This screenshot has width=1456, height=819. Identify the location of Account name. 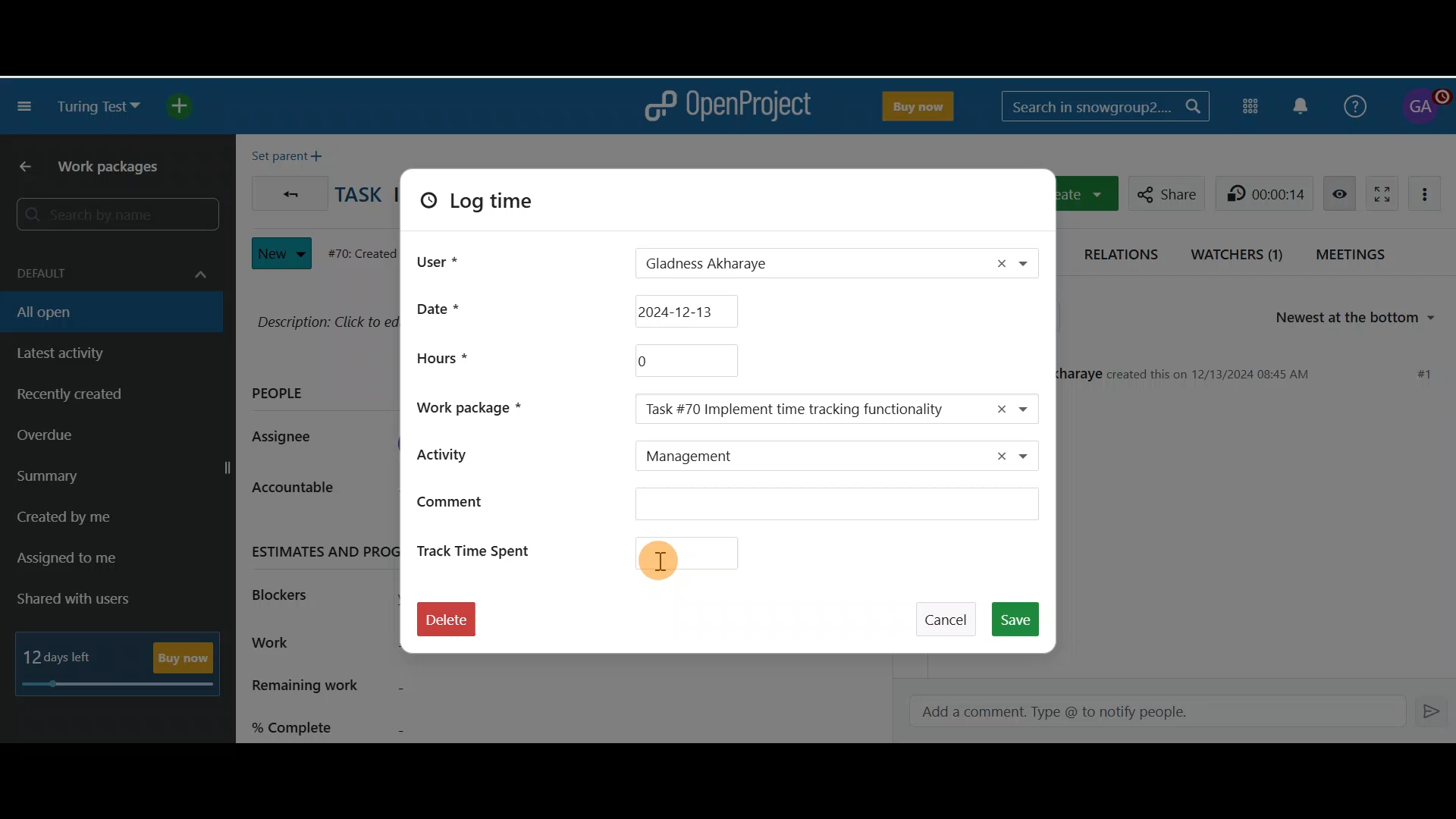
(1423, 107).